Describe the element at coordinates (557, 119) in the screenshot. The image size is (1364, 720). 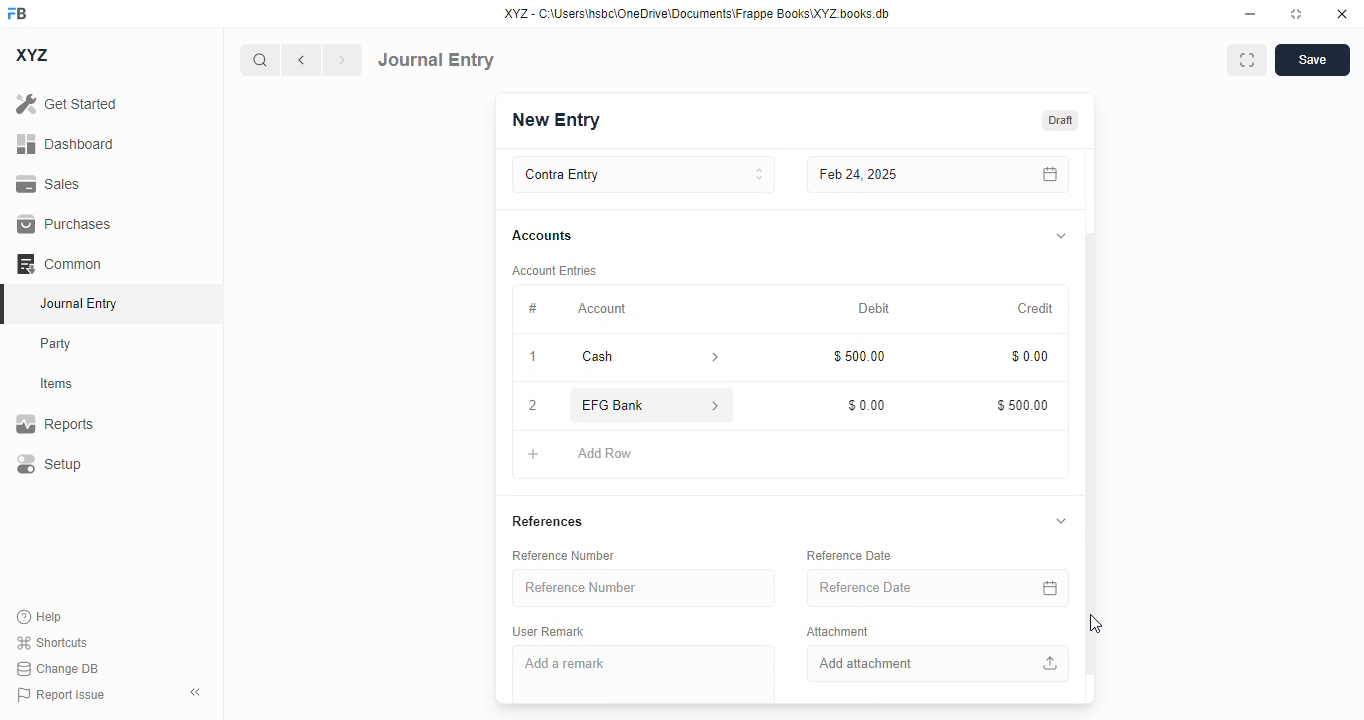
I see `new entry` at that location.